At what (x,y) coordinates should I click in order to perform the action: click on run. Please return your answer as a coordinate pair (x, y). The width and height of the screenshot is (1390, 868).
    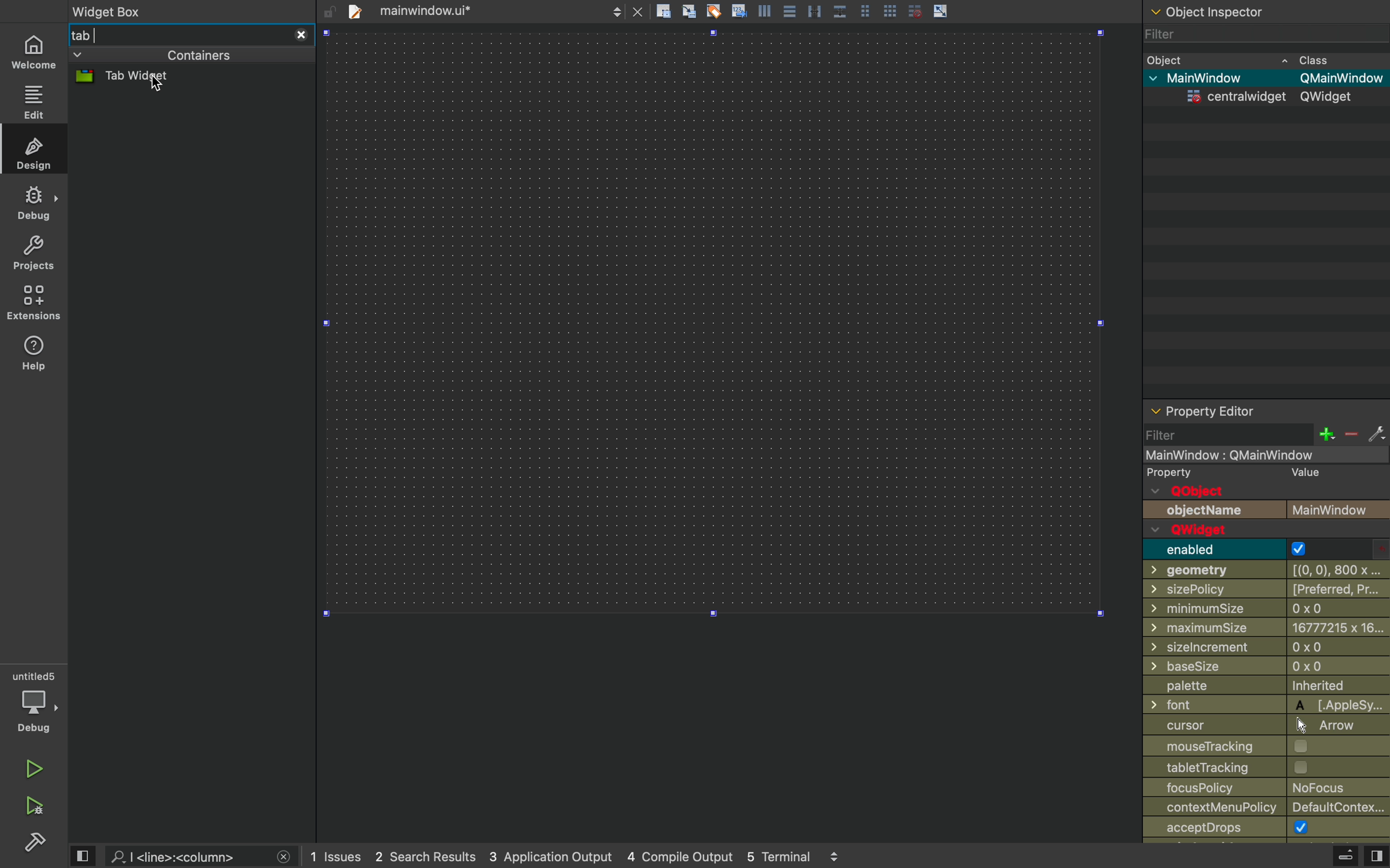
    Looking at the image, I should click on (36, 772).